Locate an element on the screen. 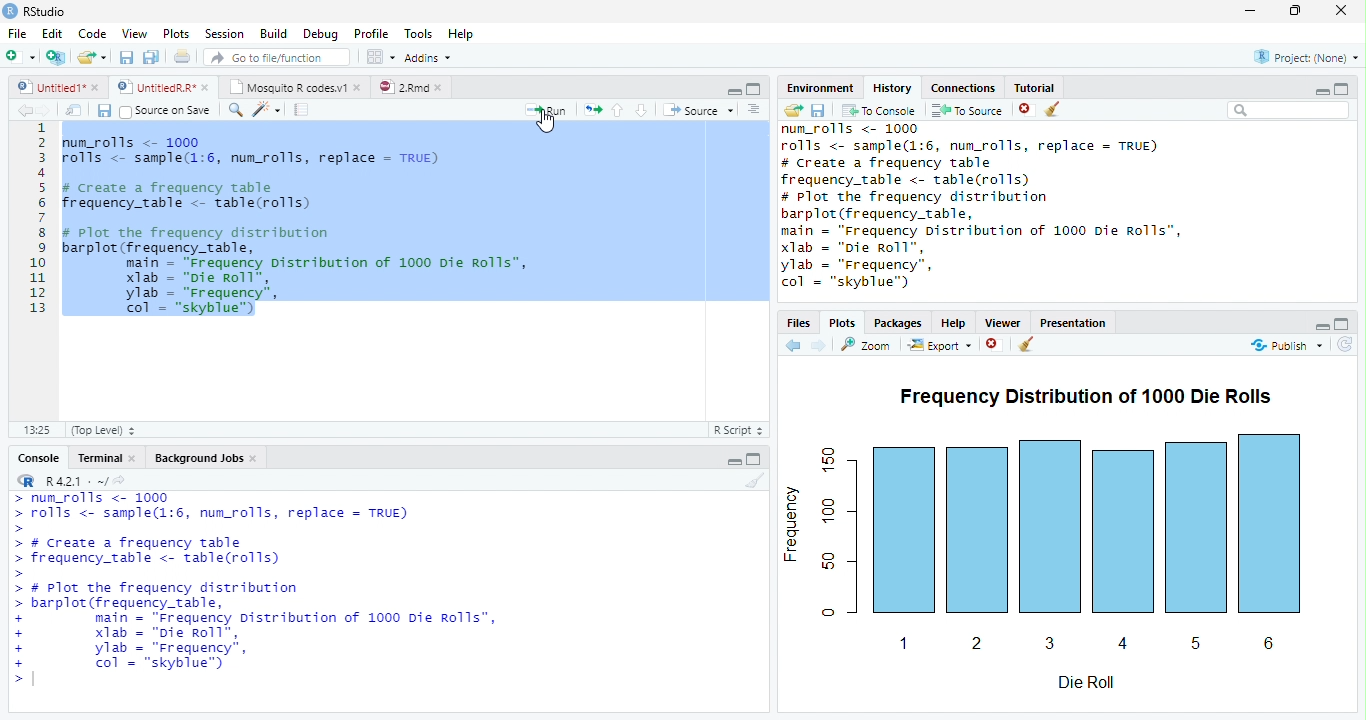 Image resolution: width=1366 pixels, height=720 pixels. Go to next section of code is located at coordinates (642, 110).